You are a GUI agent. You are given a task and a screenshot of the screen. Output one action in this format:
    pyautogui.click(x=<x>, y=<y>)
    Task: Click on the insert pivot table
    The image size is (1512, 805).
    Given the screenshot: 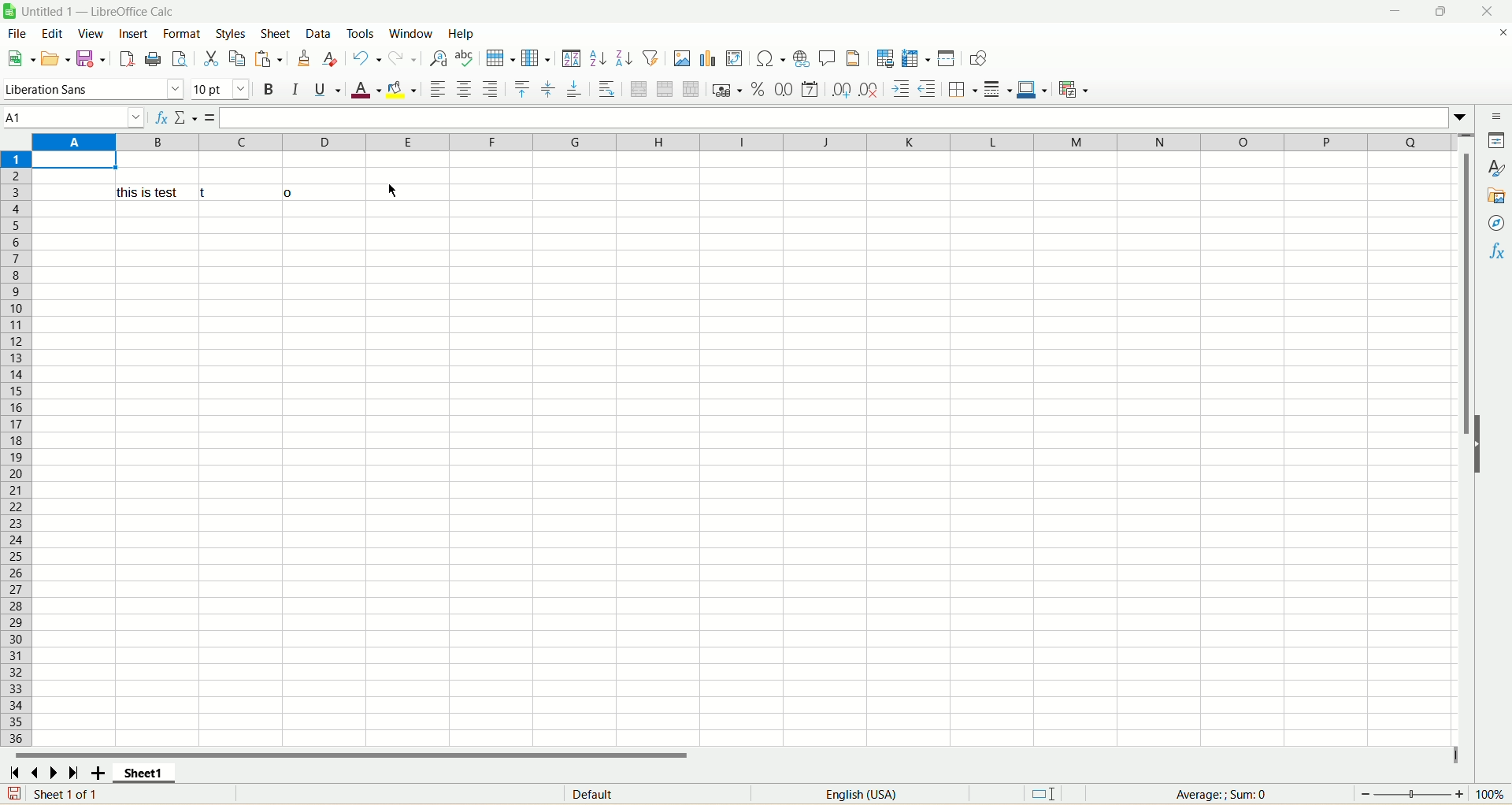 What is the action you would take?
    pyautogui.click(x=735, y=59)
    